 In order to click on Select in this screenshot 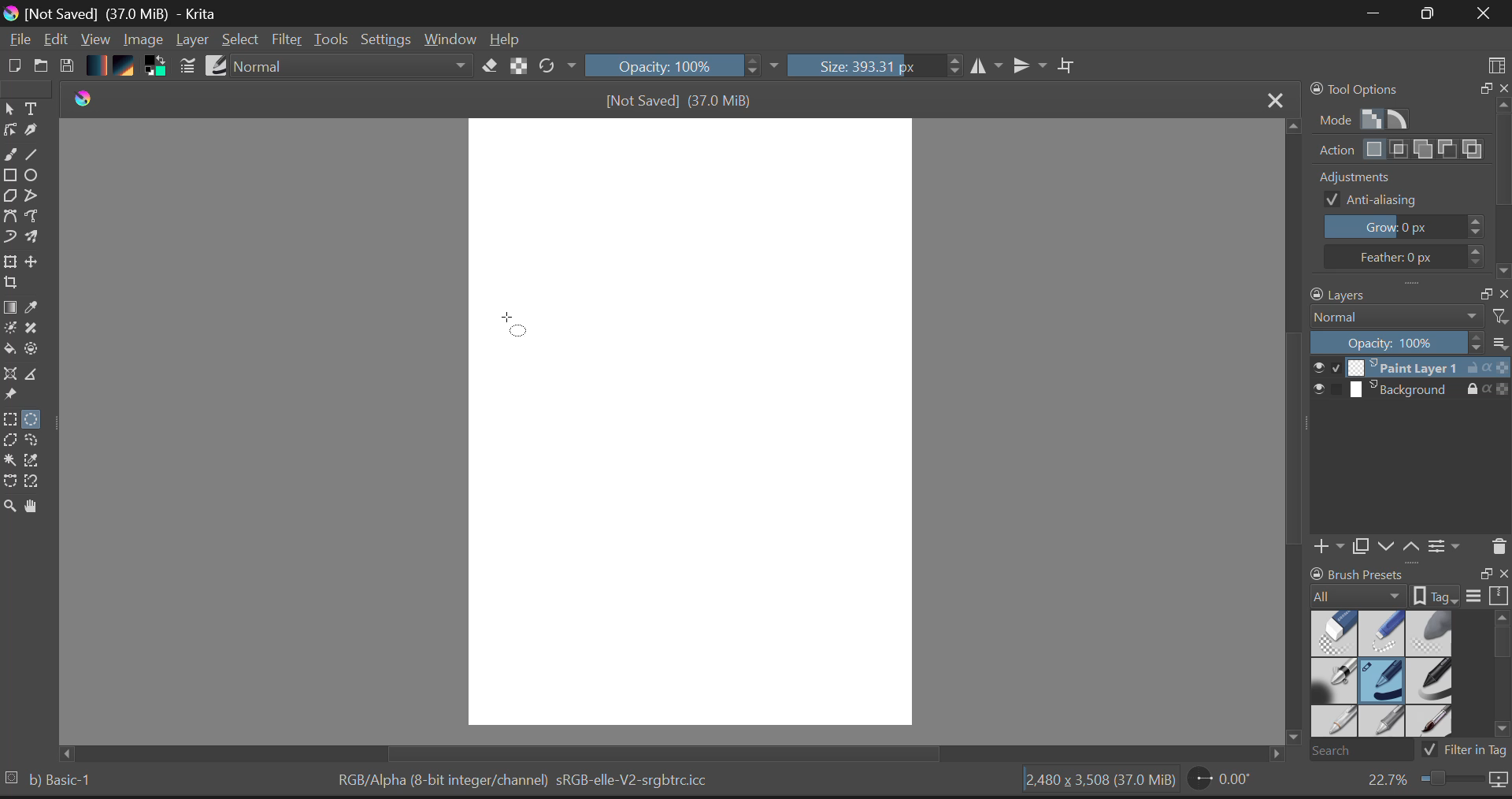, I will do `click(243, 40)`.